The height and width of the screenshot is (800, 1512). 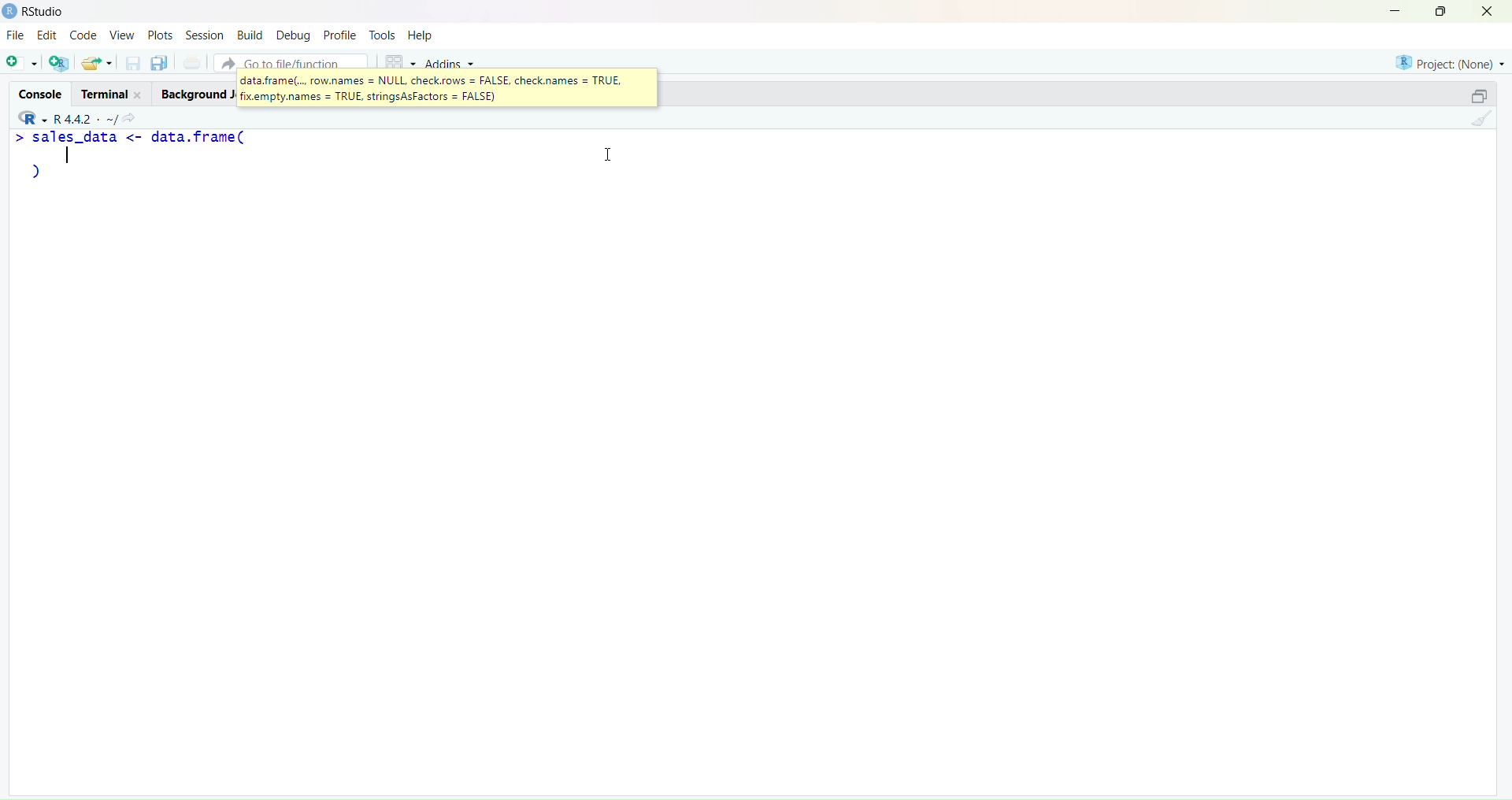 What do you see at coordinates (1385, 9) in the screenshot?
I see `minimise` at bounding box center [1385, 9].